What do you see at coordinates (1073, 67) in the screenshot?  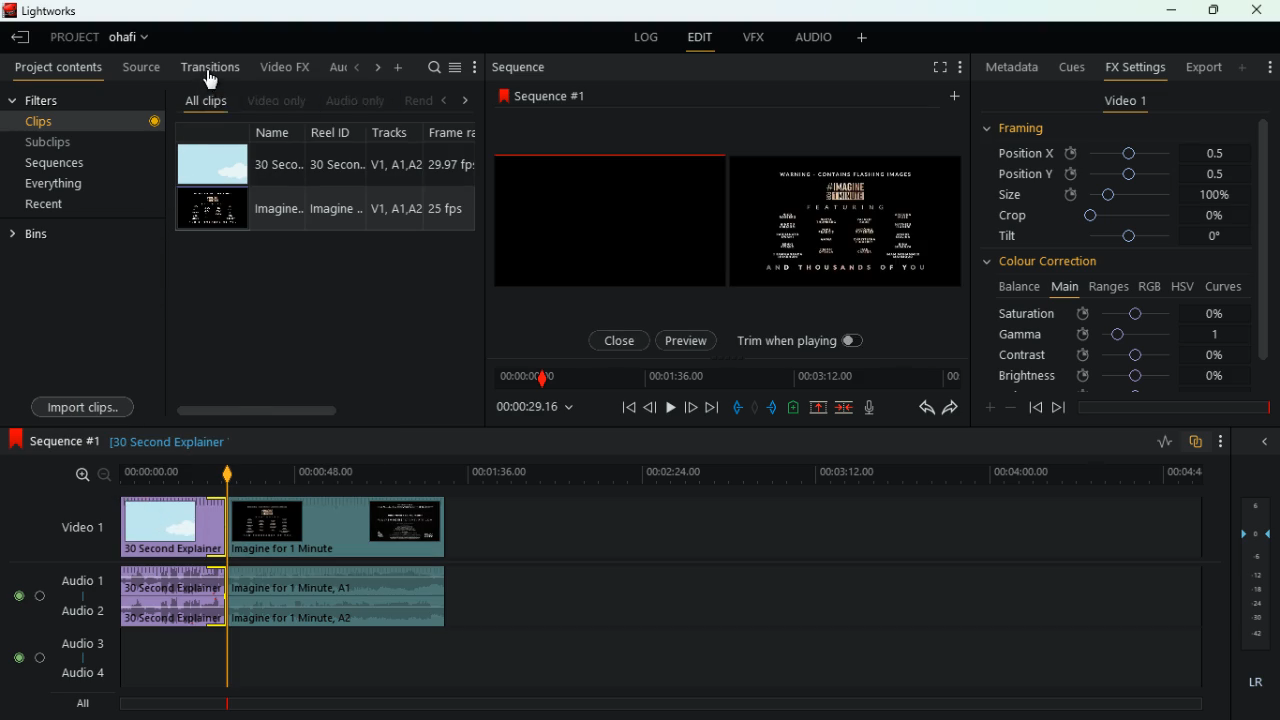 I see `cues` at bounding box center [1073, 67].